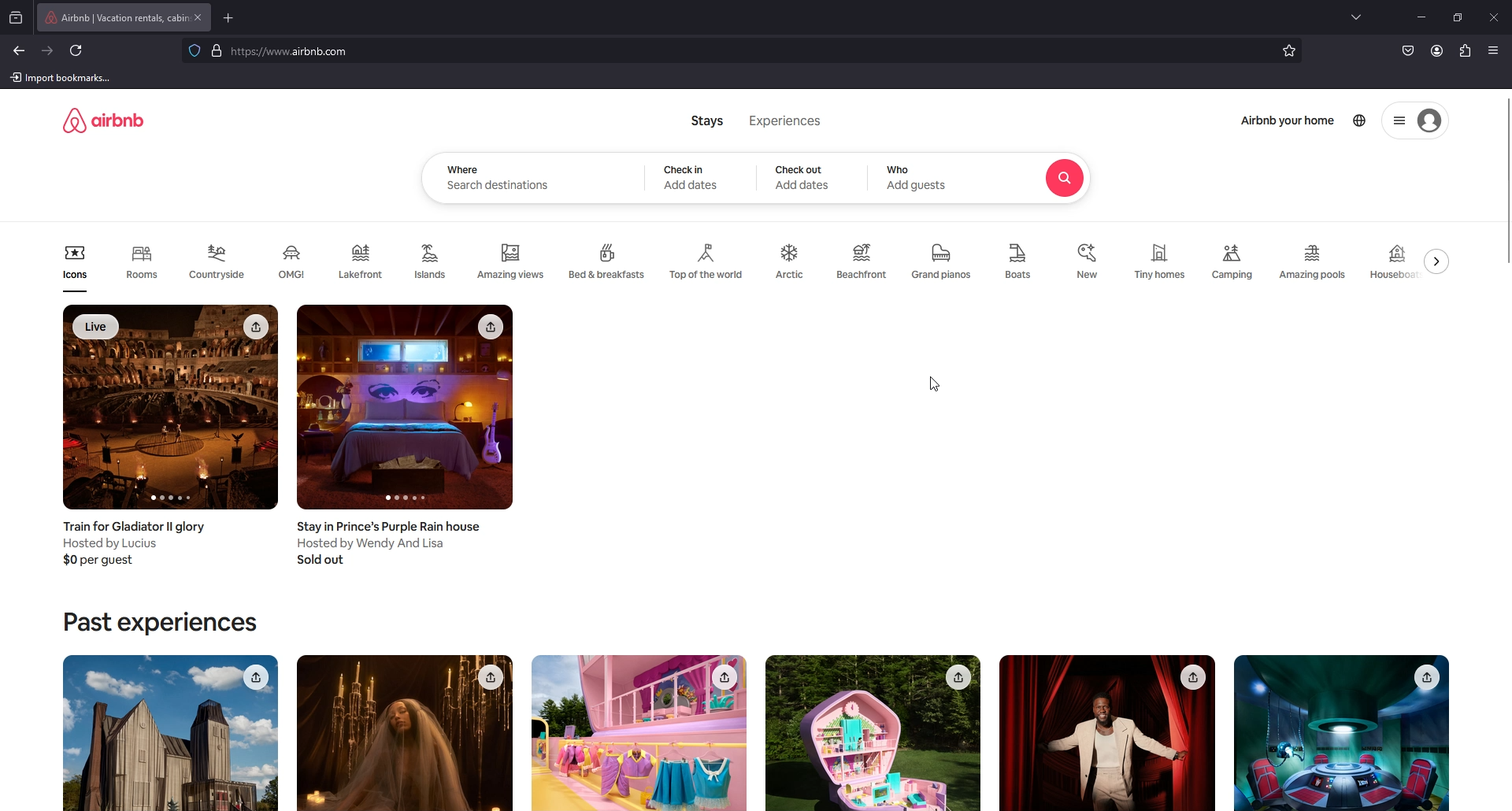  Describe the element at coordinates (1232, 261) in the screenshot. I see `camping` at that location.